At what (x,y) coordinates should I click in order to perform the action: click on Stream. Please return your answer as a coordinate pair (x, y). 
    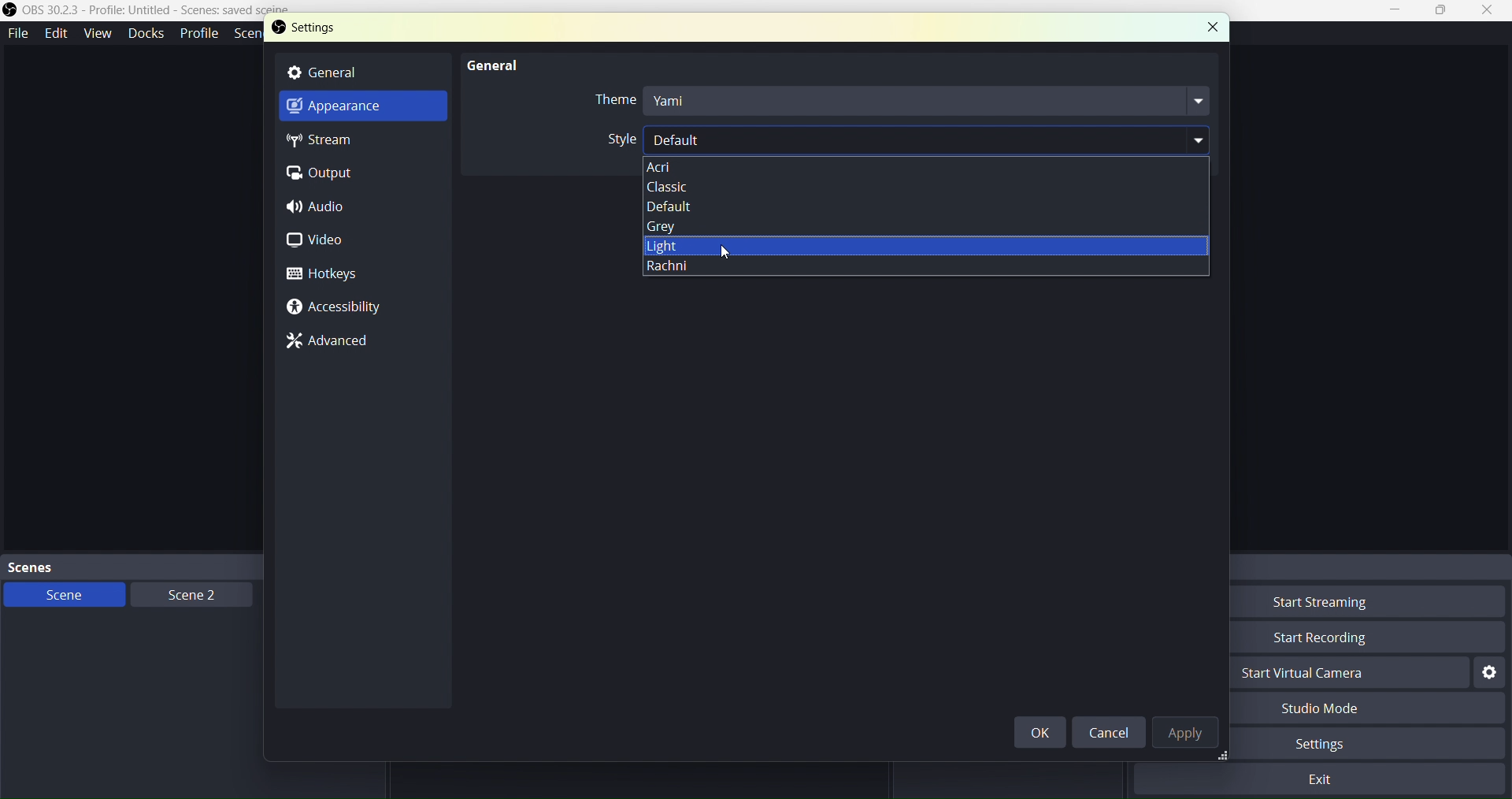
    Looking at the image, I should click on (336, 142).